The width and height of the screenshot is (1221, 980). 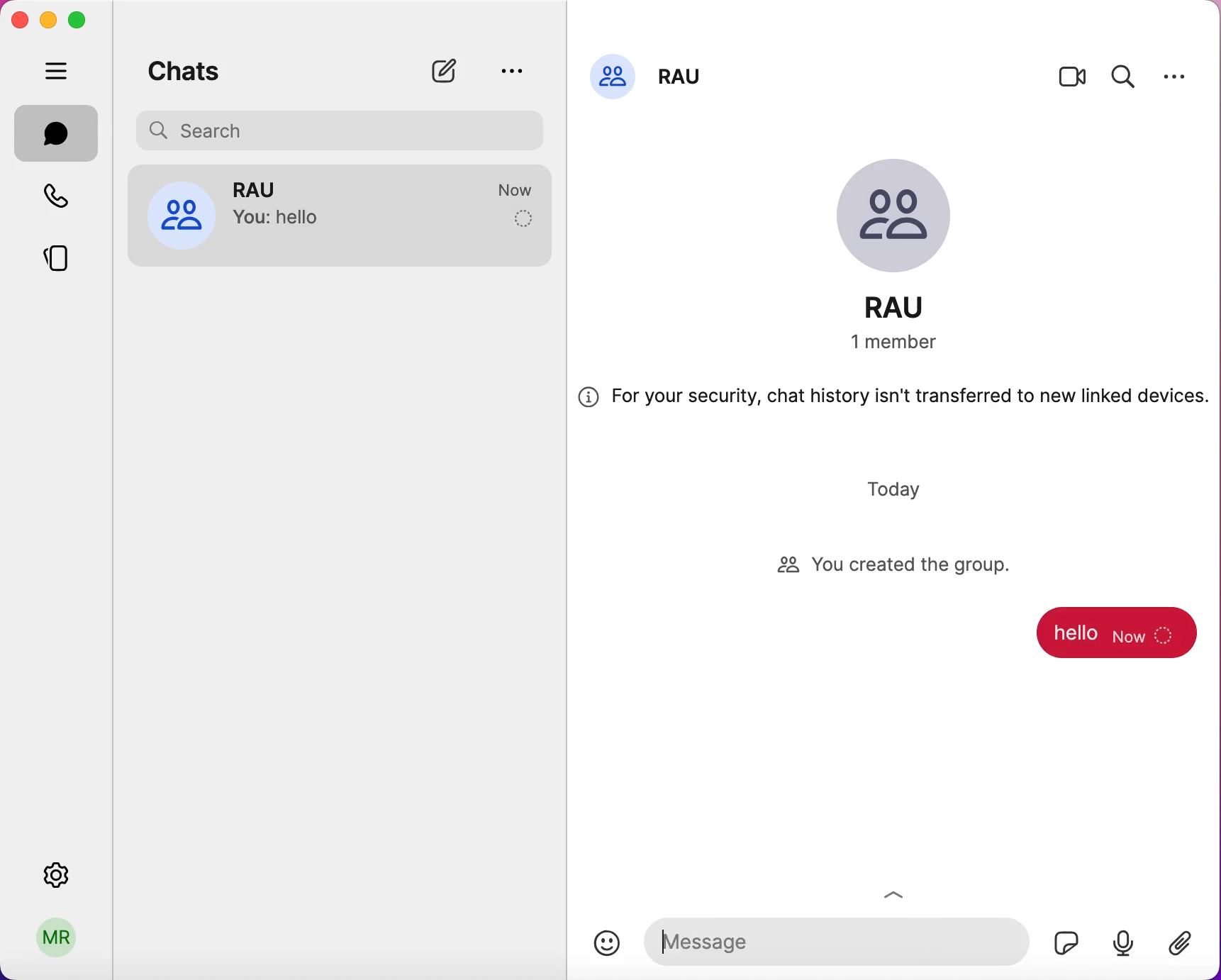 What do you see at coordinates (898, 489) in the screenshot?
I see `today` at bounding box center [898, 489].